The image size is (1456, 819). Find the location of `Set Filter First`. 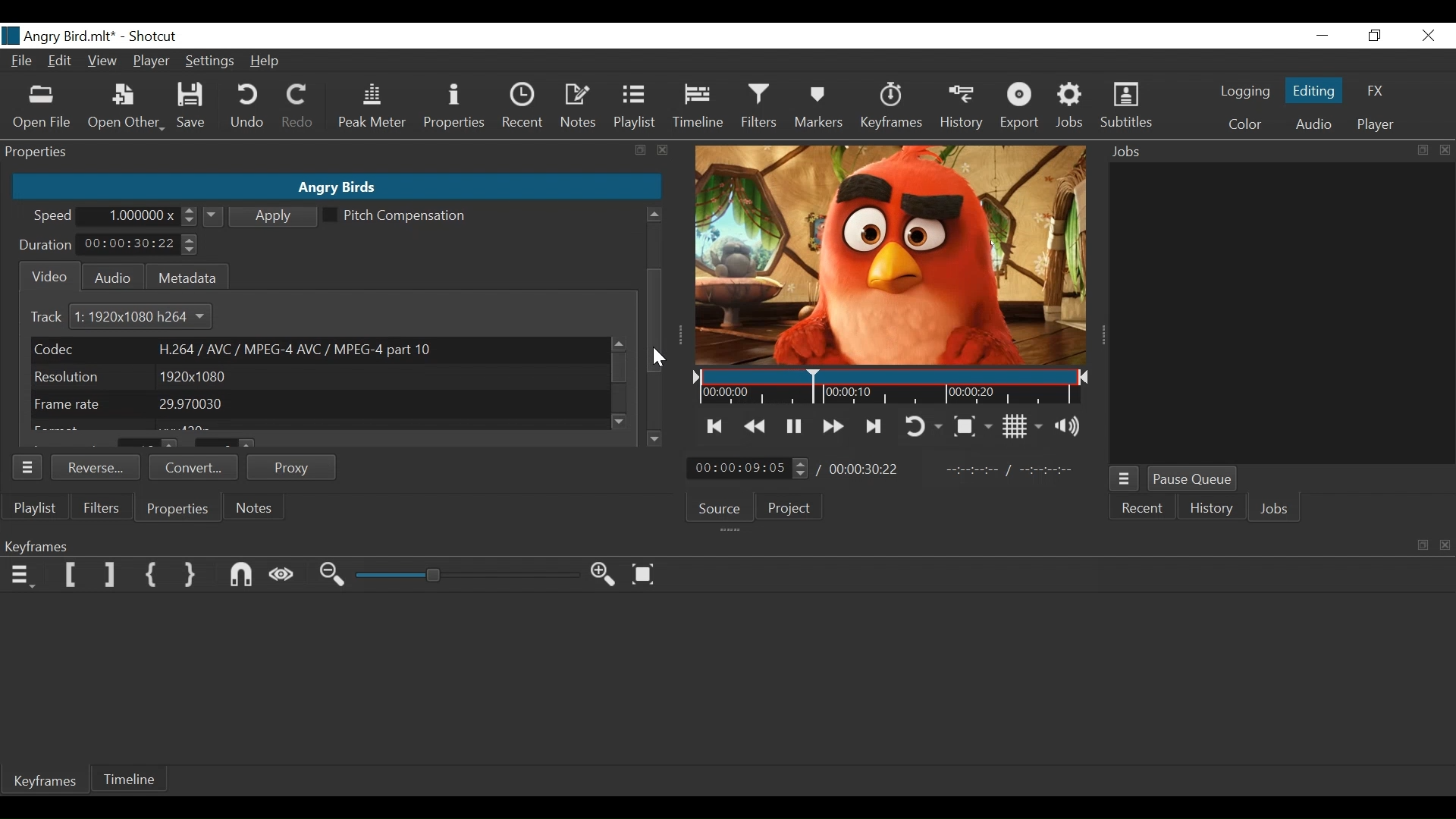

Set Filter First is located at coordinates (71, 574).